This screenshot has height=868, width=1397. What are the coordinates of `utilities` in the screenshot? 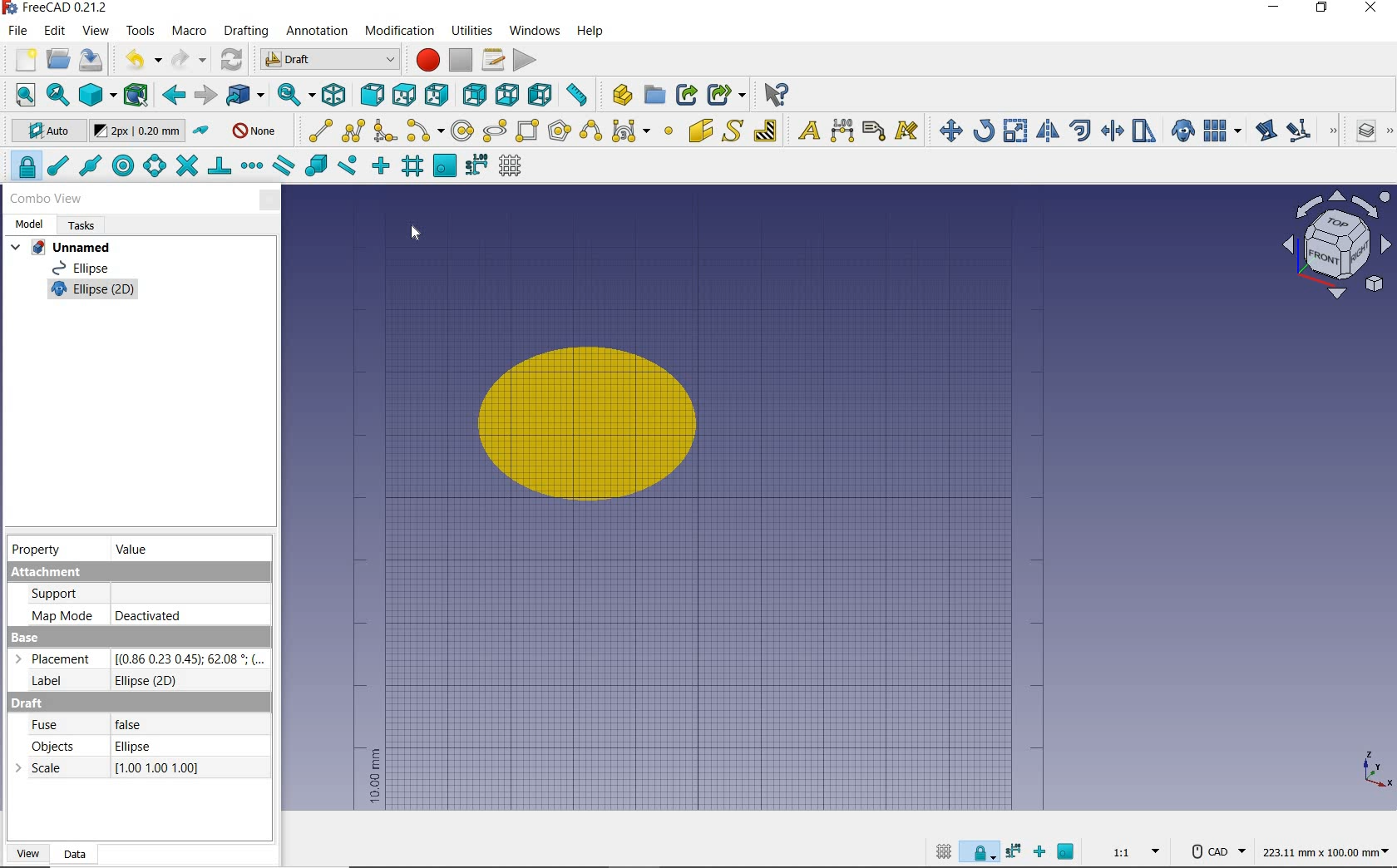 It's located at (473, 32).